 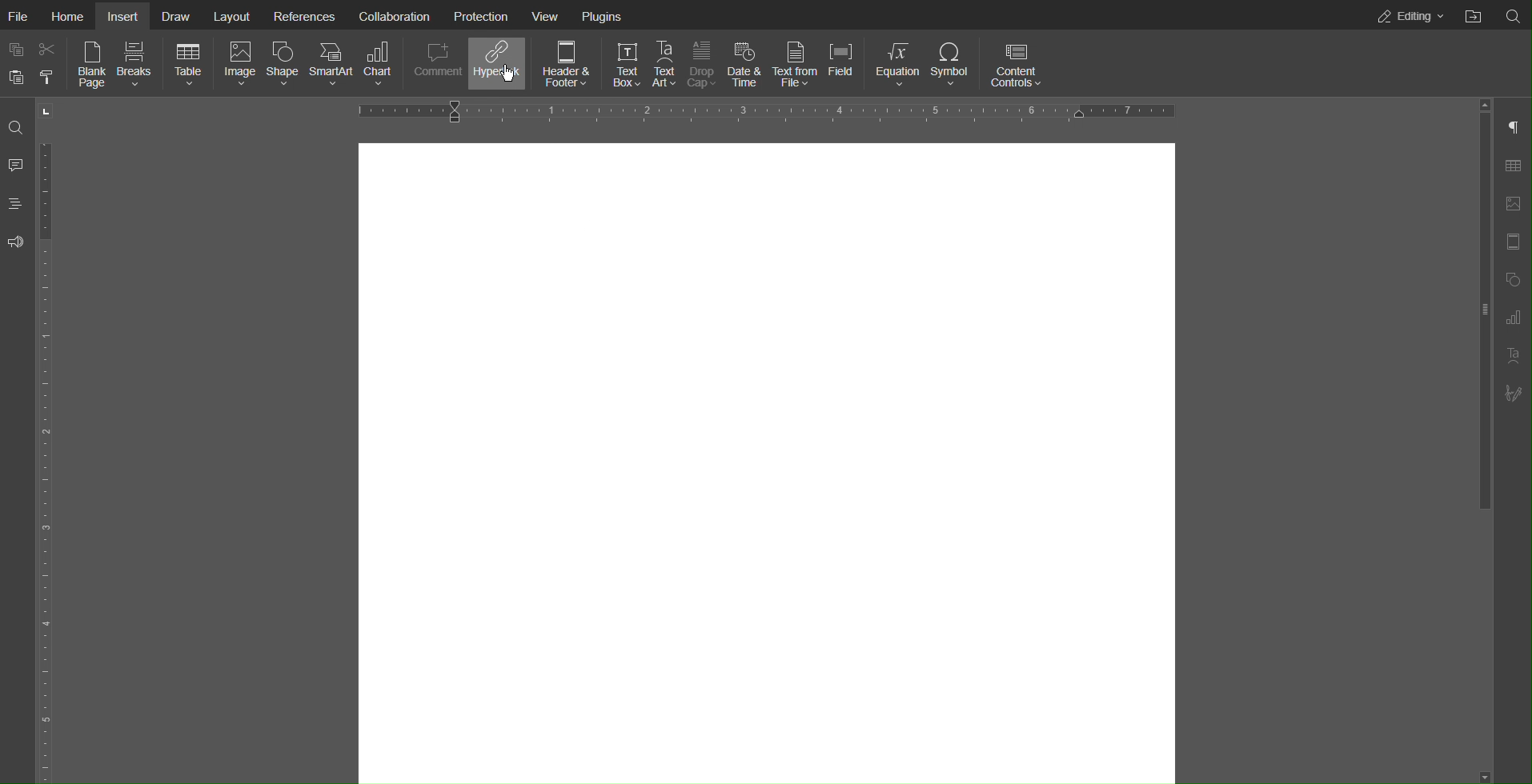 I want to click on Signature, so click(x=1514, y=393).